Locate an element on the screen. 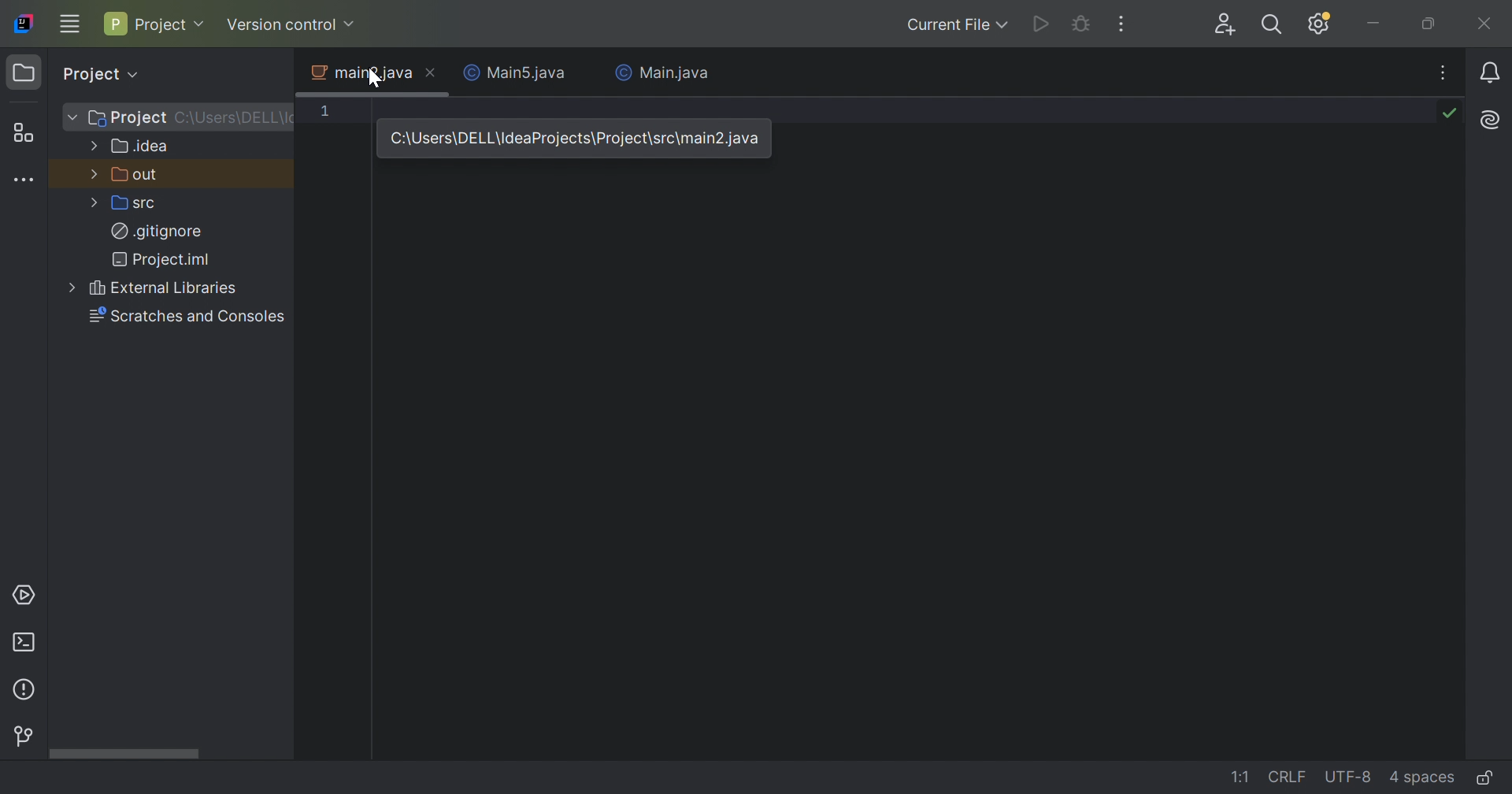 The width and height of the screenshot is (1512, 794). More is located at coordinates (94, 173).